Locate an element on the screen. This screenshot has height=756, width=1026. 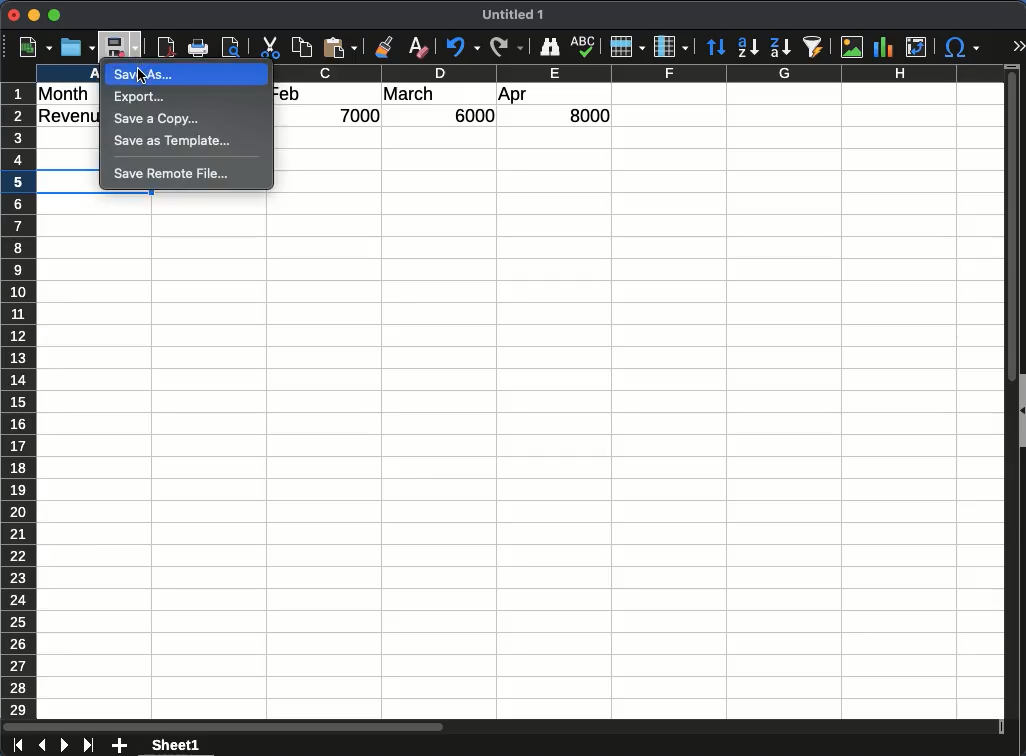
7000 is located at coordinates (362, 115).